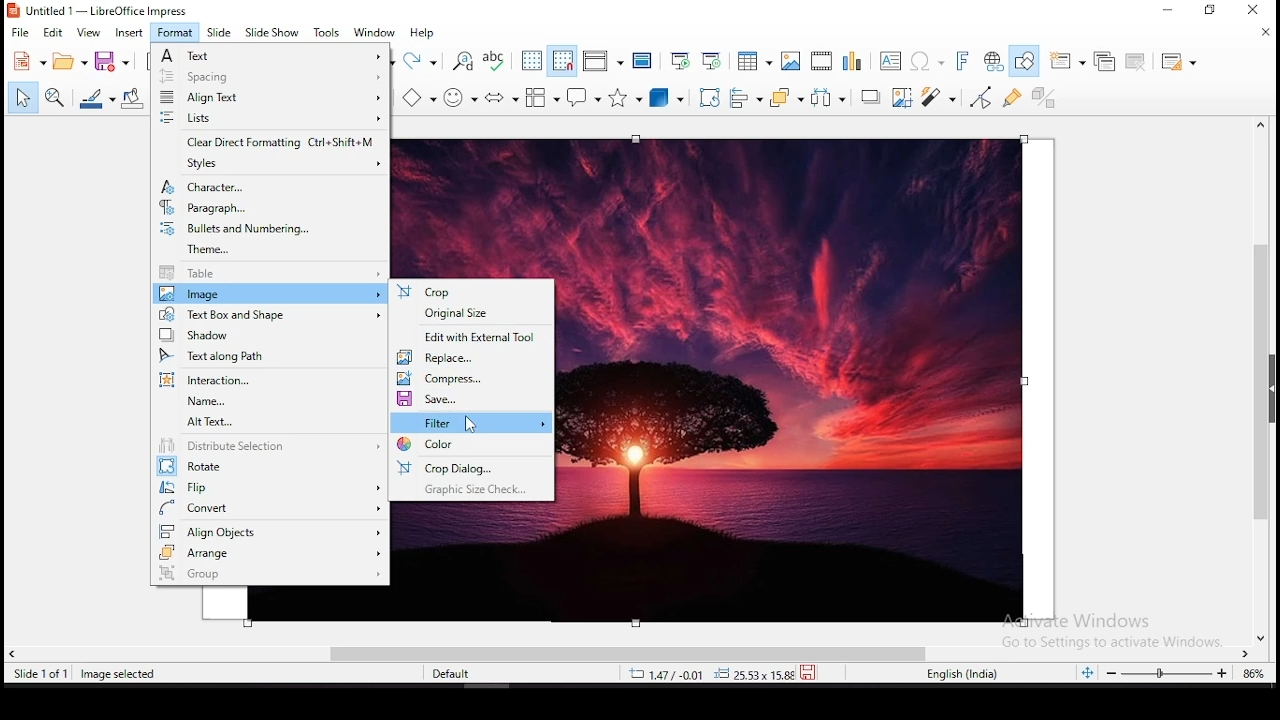  Describe the element at coordinates (267, 314) in the screenshot. I see `text box and shape` at that location.